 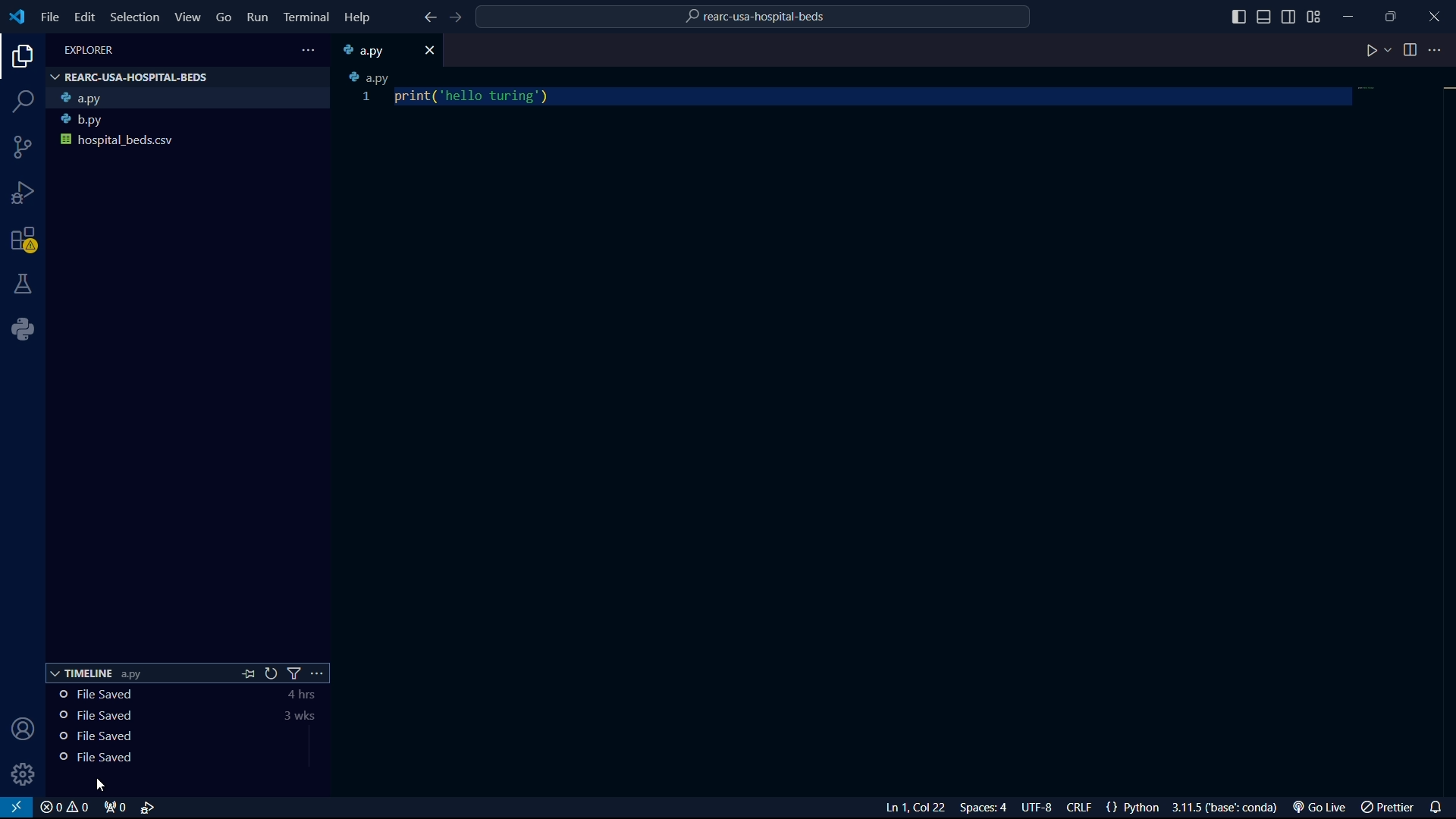 What do you see at coordinates (1289, 16) in the screenshot?
I see `toggle secondary sidebar` at bounding box center [1289, 16].